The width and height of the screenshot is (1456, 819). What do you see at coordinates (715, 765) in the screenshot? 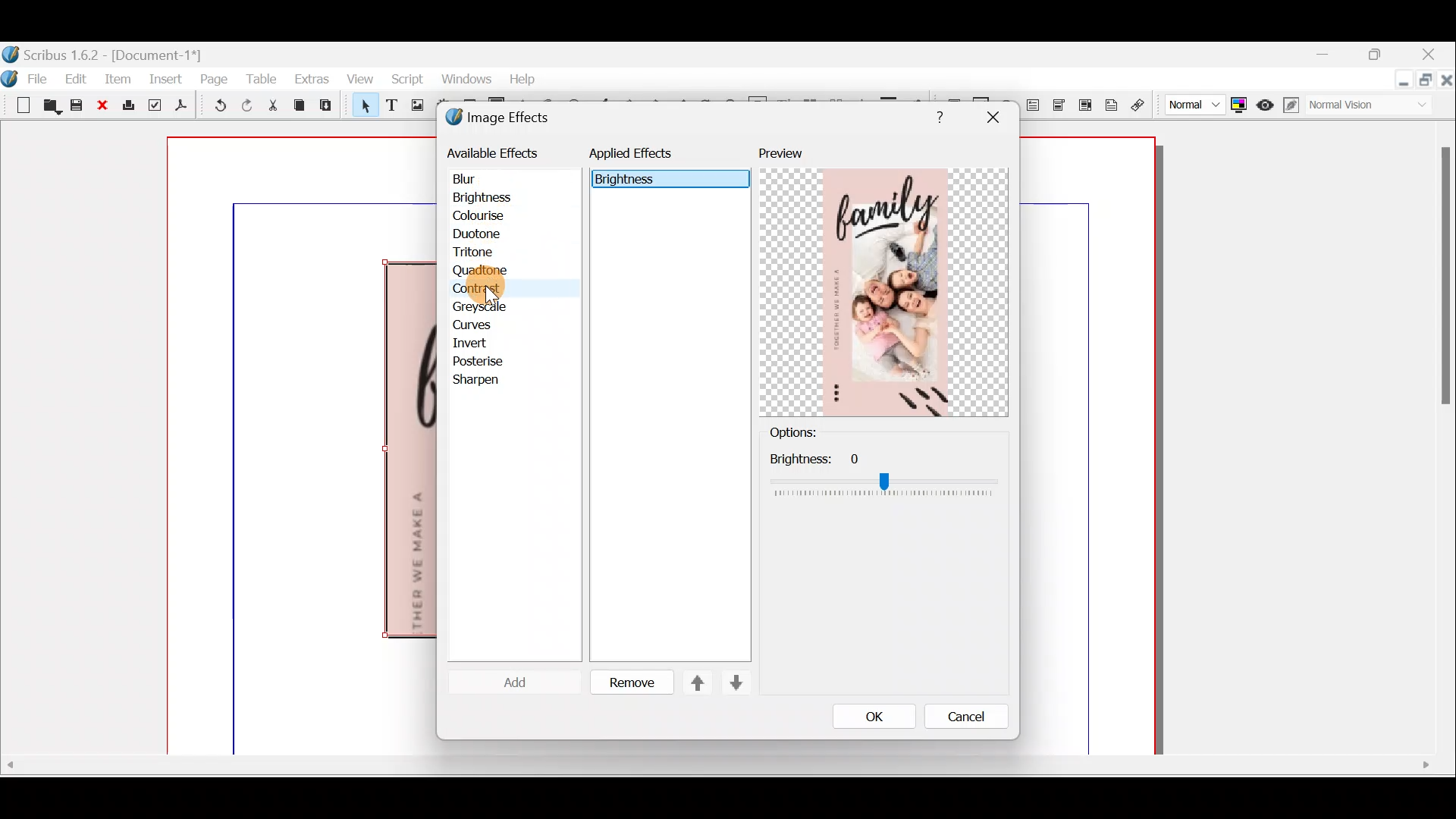
I see `` at bounding box center [715, 765].